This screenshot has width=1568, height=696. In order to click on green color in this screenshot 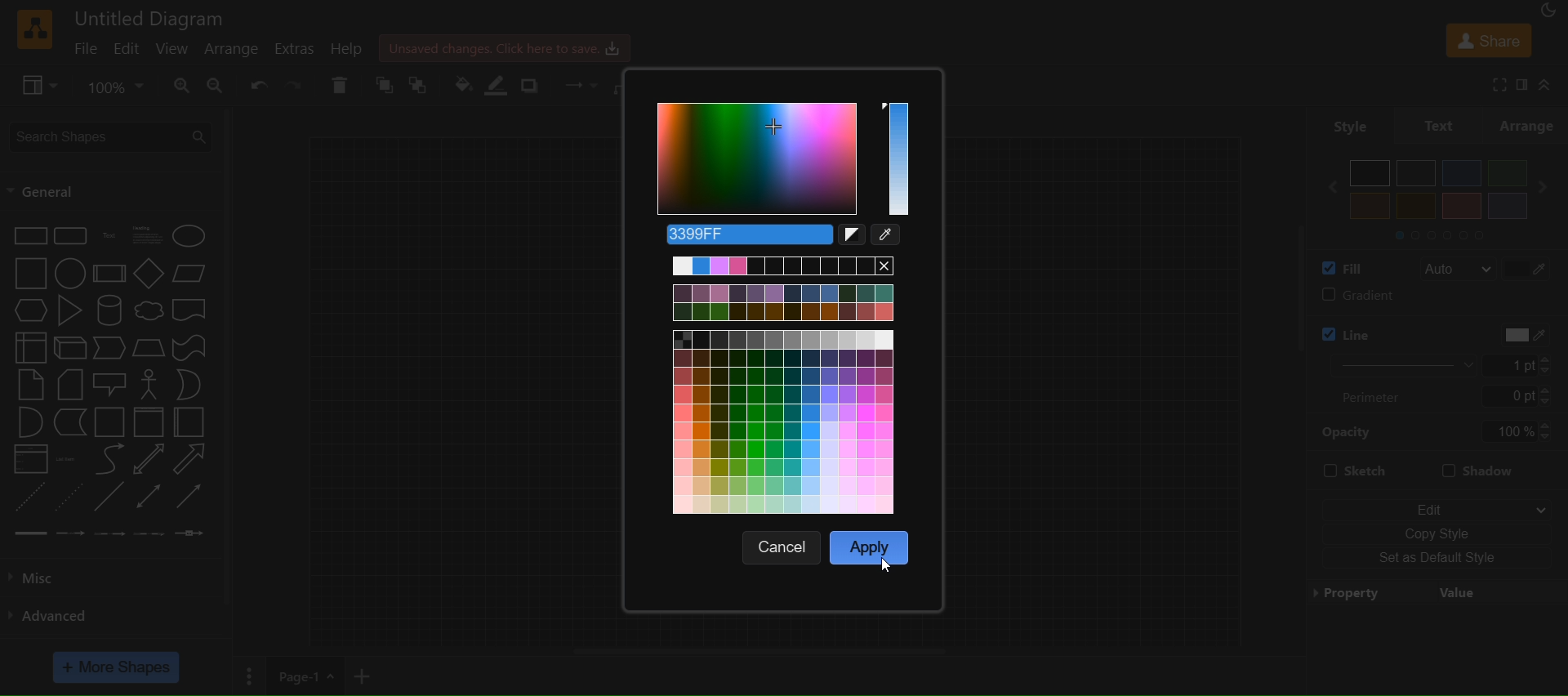, I will do `click(1506, 172)`.